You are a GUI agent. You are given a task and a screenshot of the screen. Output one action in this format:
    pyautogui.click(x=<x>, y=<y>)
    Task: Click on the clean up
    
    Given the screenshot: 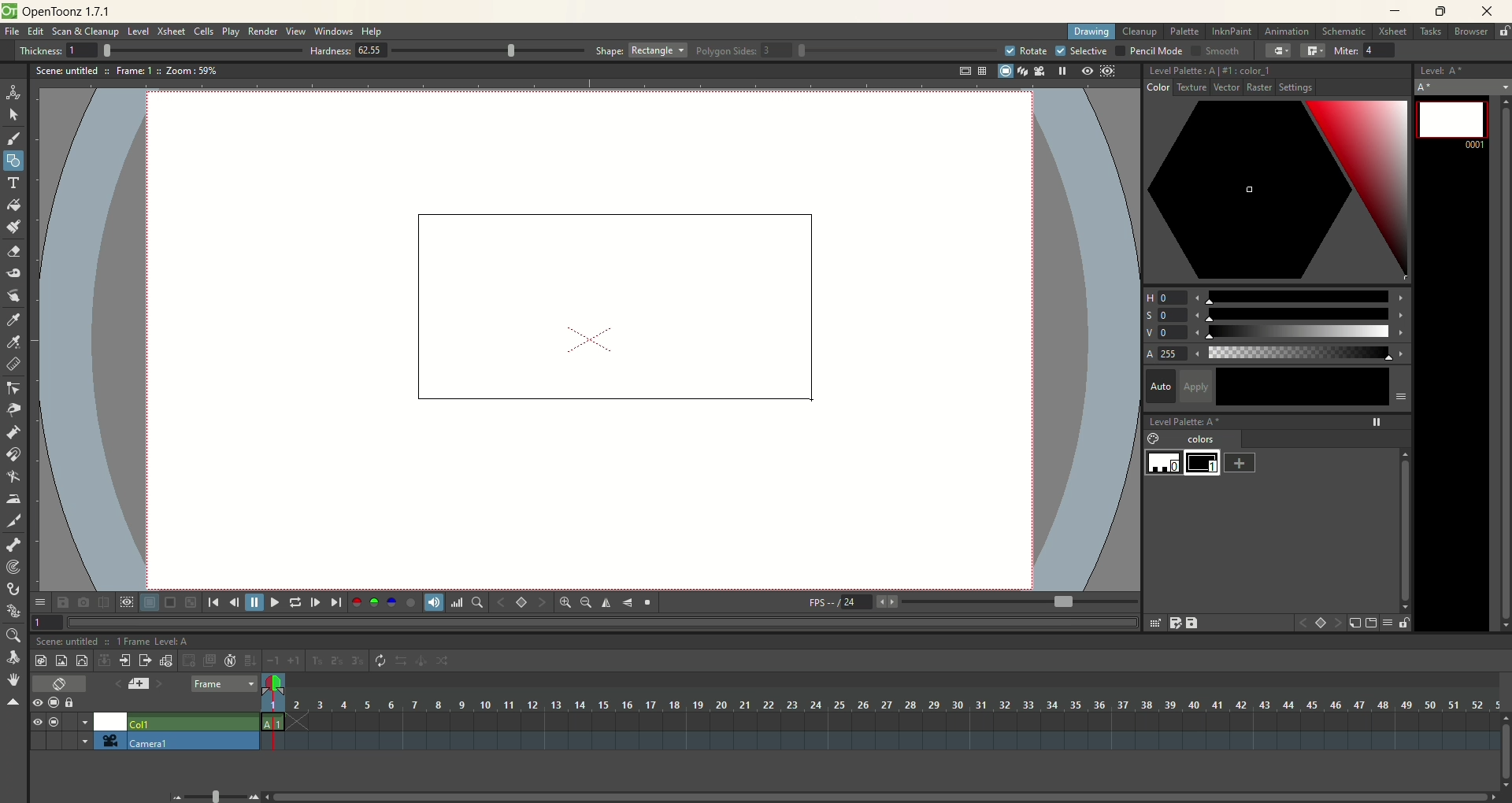 What is the action you would take?
    pyautogui.click(x=1140, y=32)
    